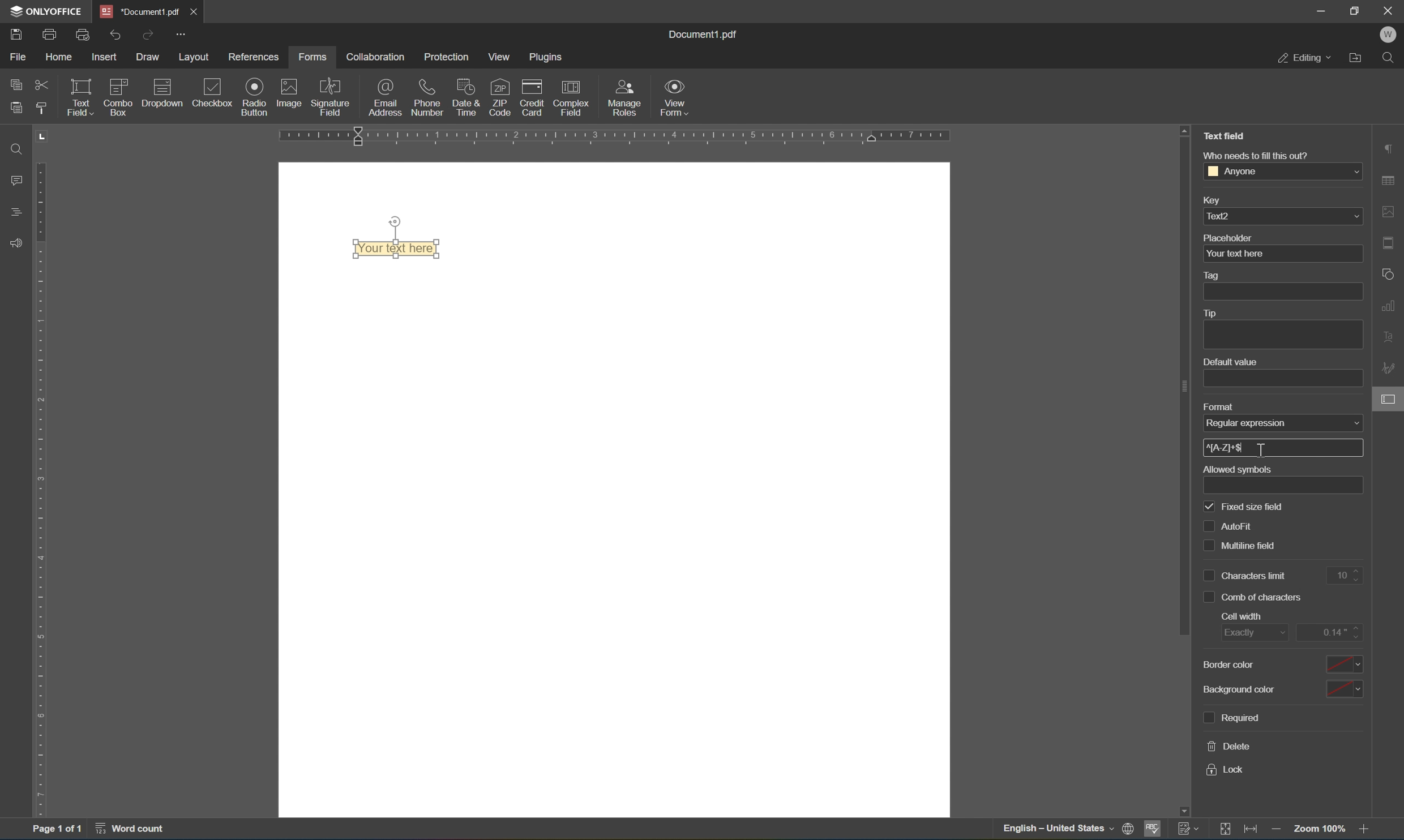 The height and width of the screenshot is (840, 1404). Describe the element at coordinates (1343, 690) in the screenshot. I see `color` at that location.